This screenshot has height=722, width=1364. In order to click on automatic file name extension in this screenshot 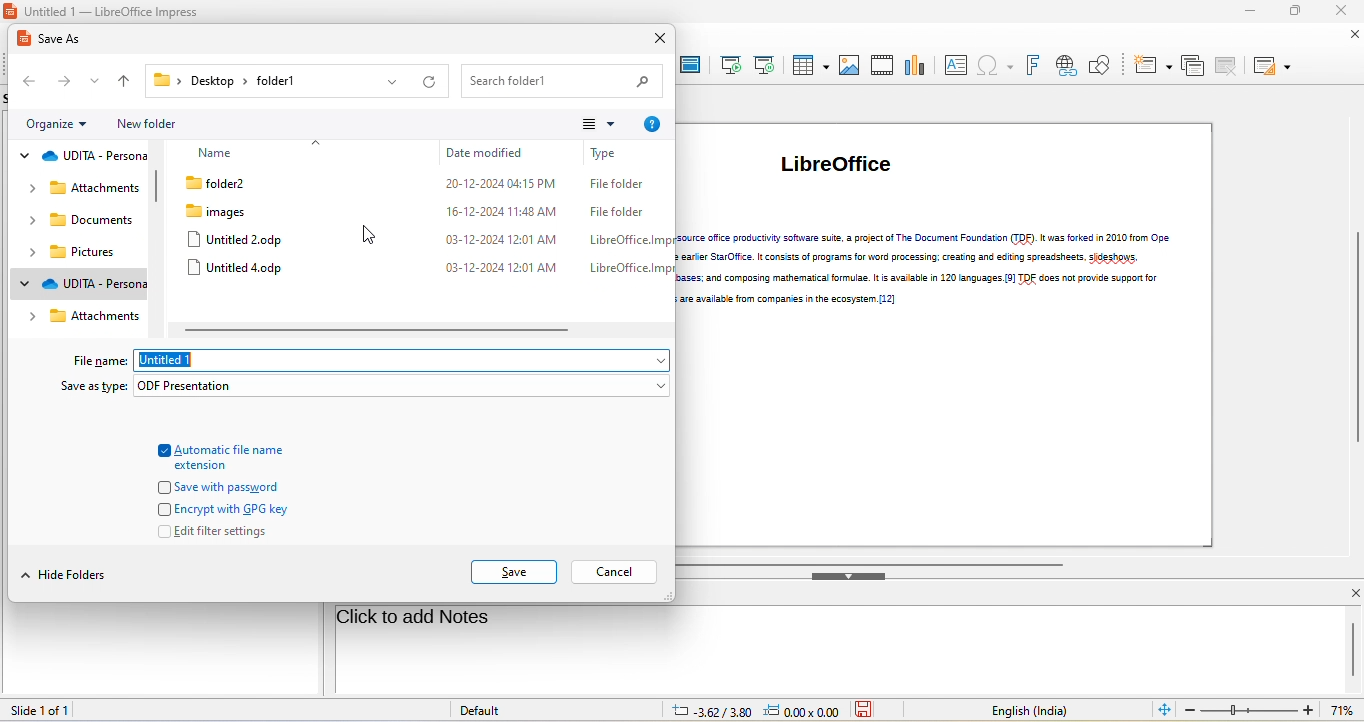, I will do `click(223, 453)`.